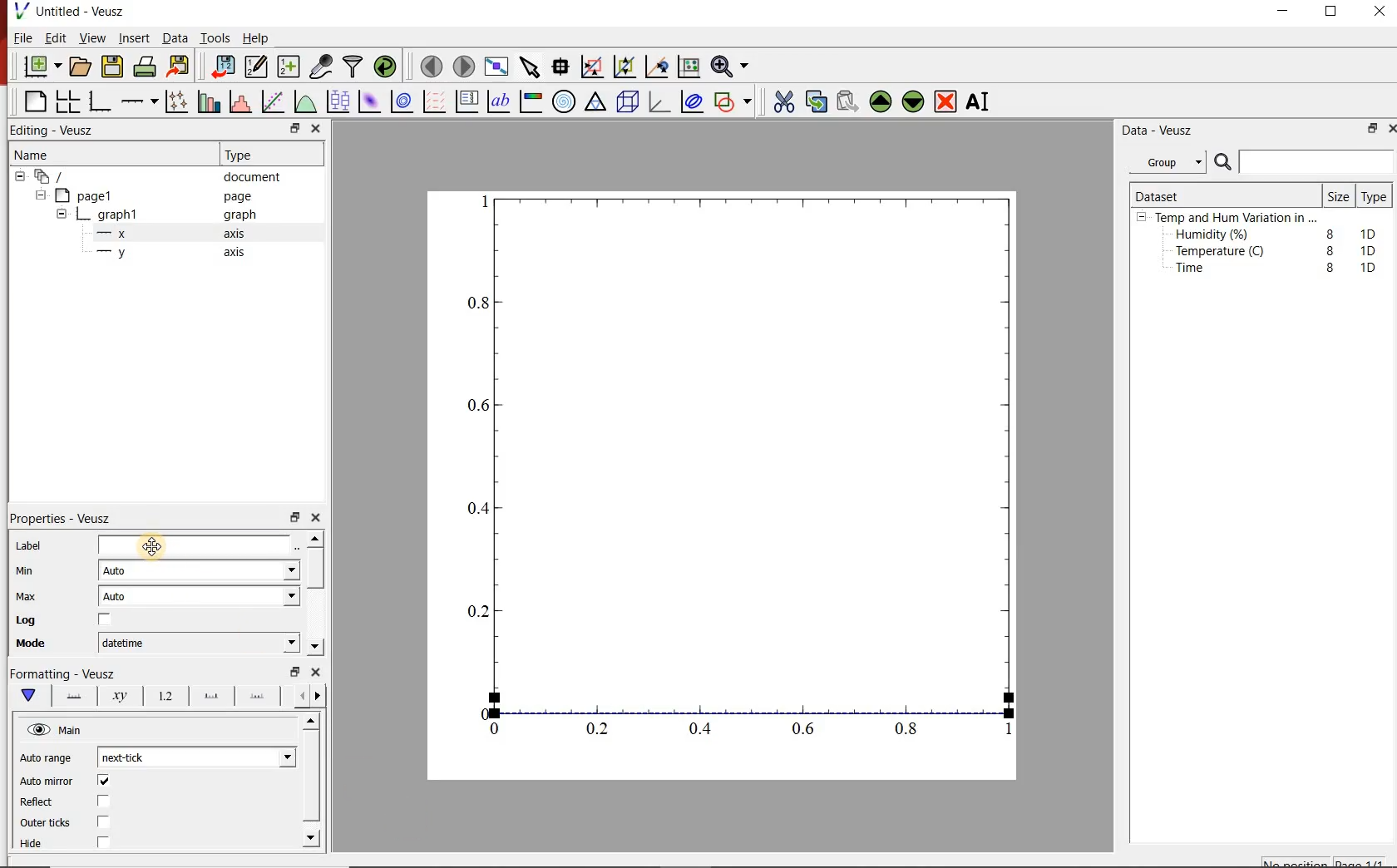  Describe the element at coordinates (1372, 232) in the screenshot. I see `1D` at that location.